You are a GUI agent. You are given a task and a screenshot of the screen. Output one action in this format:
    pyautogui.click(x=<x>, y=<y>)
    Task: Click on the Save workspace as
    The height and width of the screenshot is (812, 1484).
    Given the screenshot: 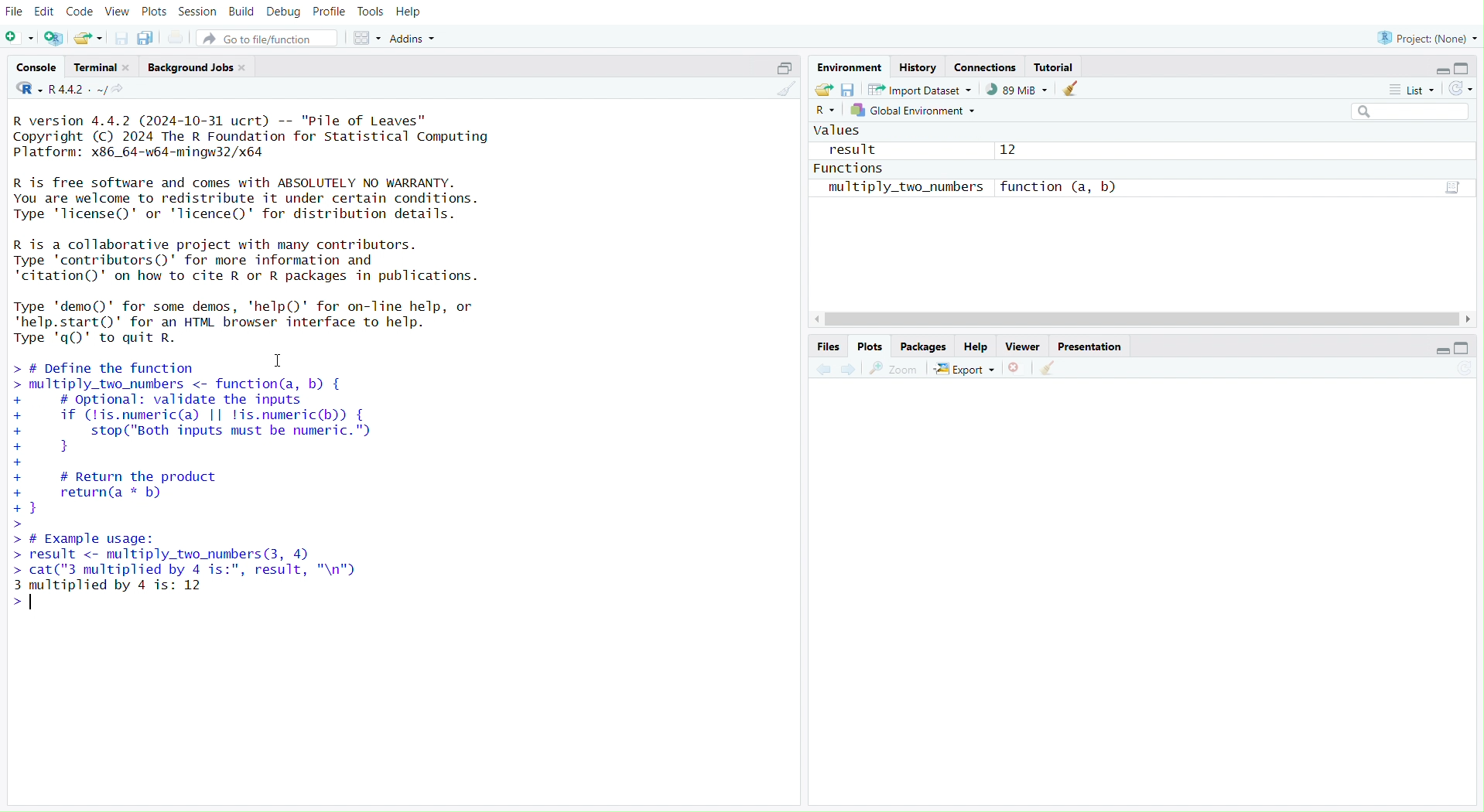 What is the action you would take?
    pyautogui.click(x=850, y=89)
    